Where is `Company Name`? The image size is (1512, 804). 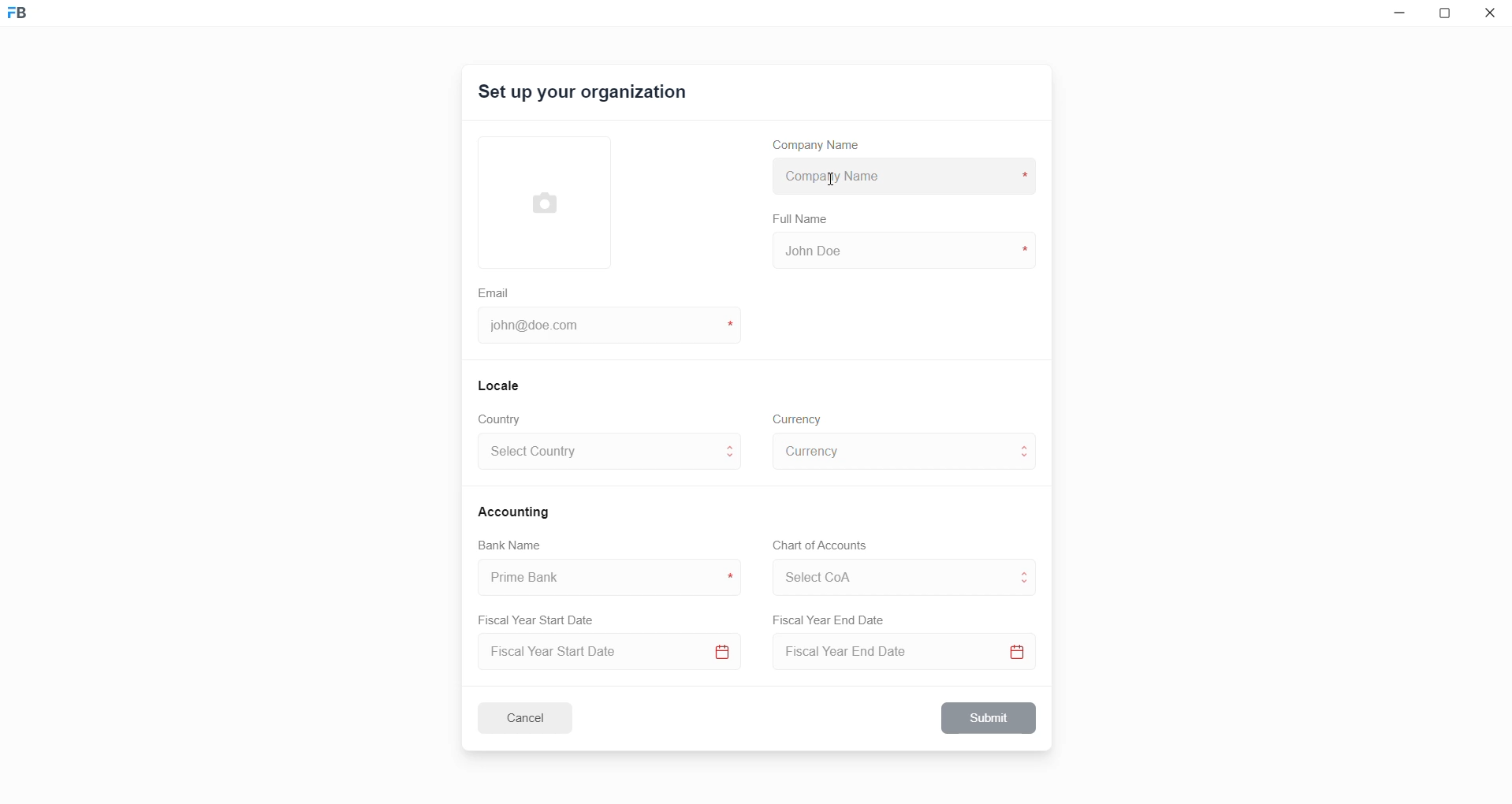
Company Name is located at coordinates (822, 147).